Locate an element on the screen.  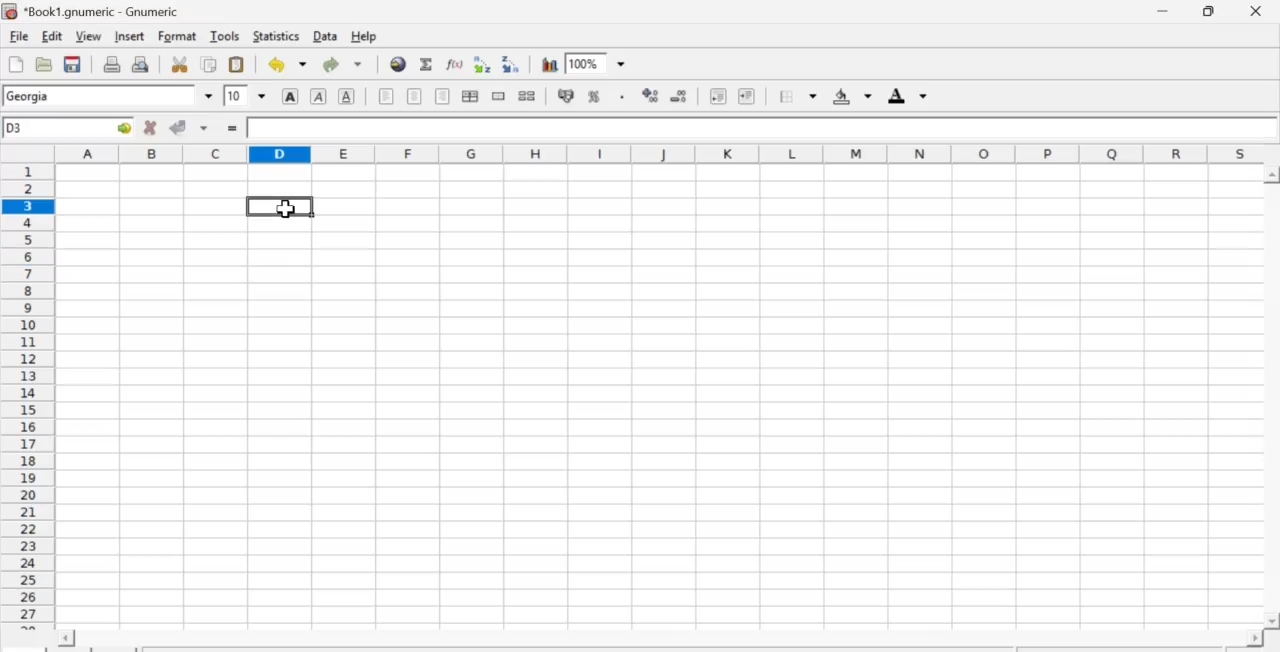
Name of the worksheet is located at coordinates (105, 11).